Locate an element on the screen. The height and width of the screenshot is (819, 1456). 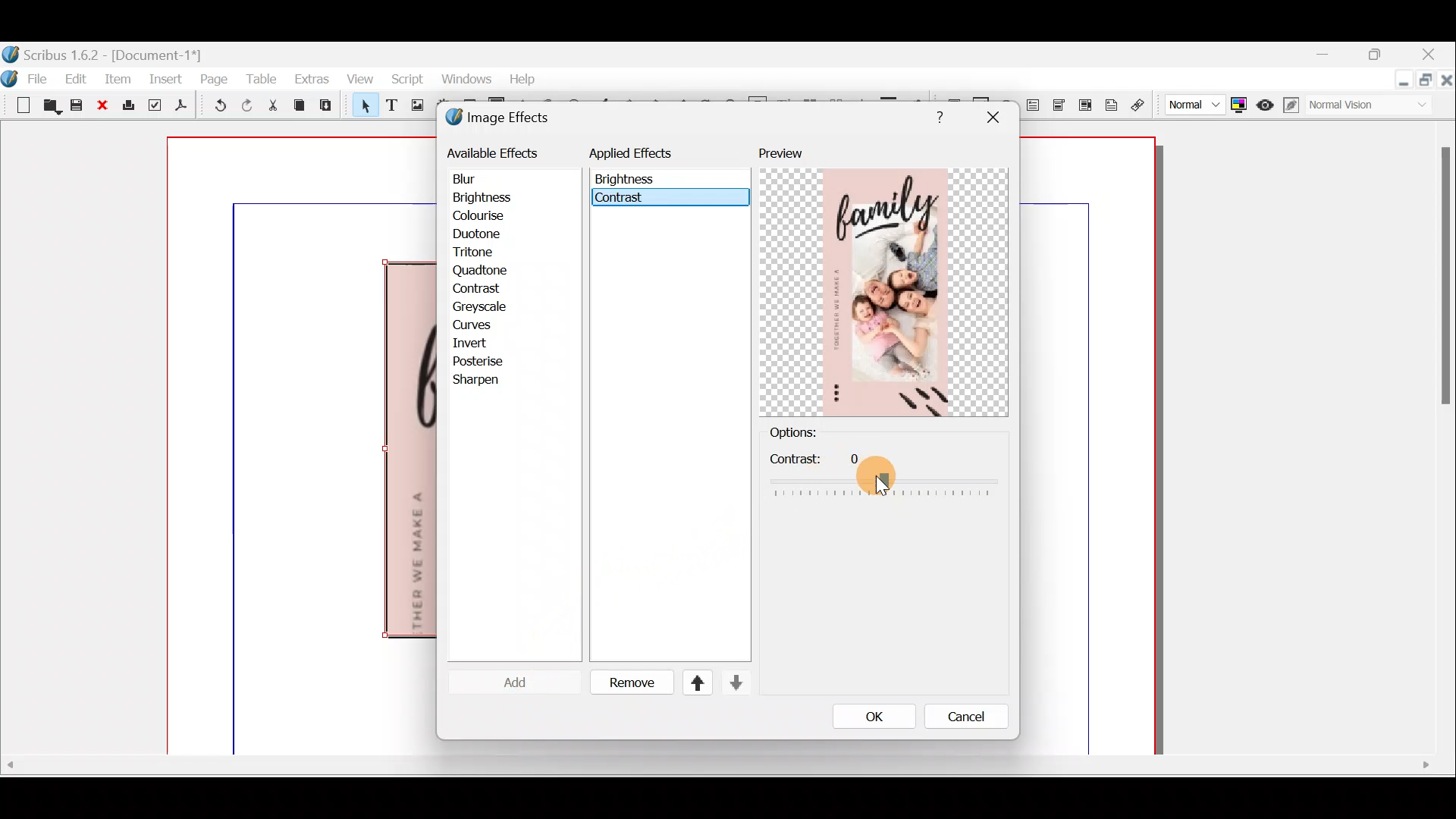
 is located at coordinates (874, 476).